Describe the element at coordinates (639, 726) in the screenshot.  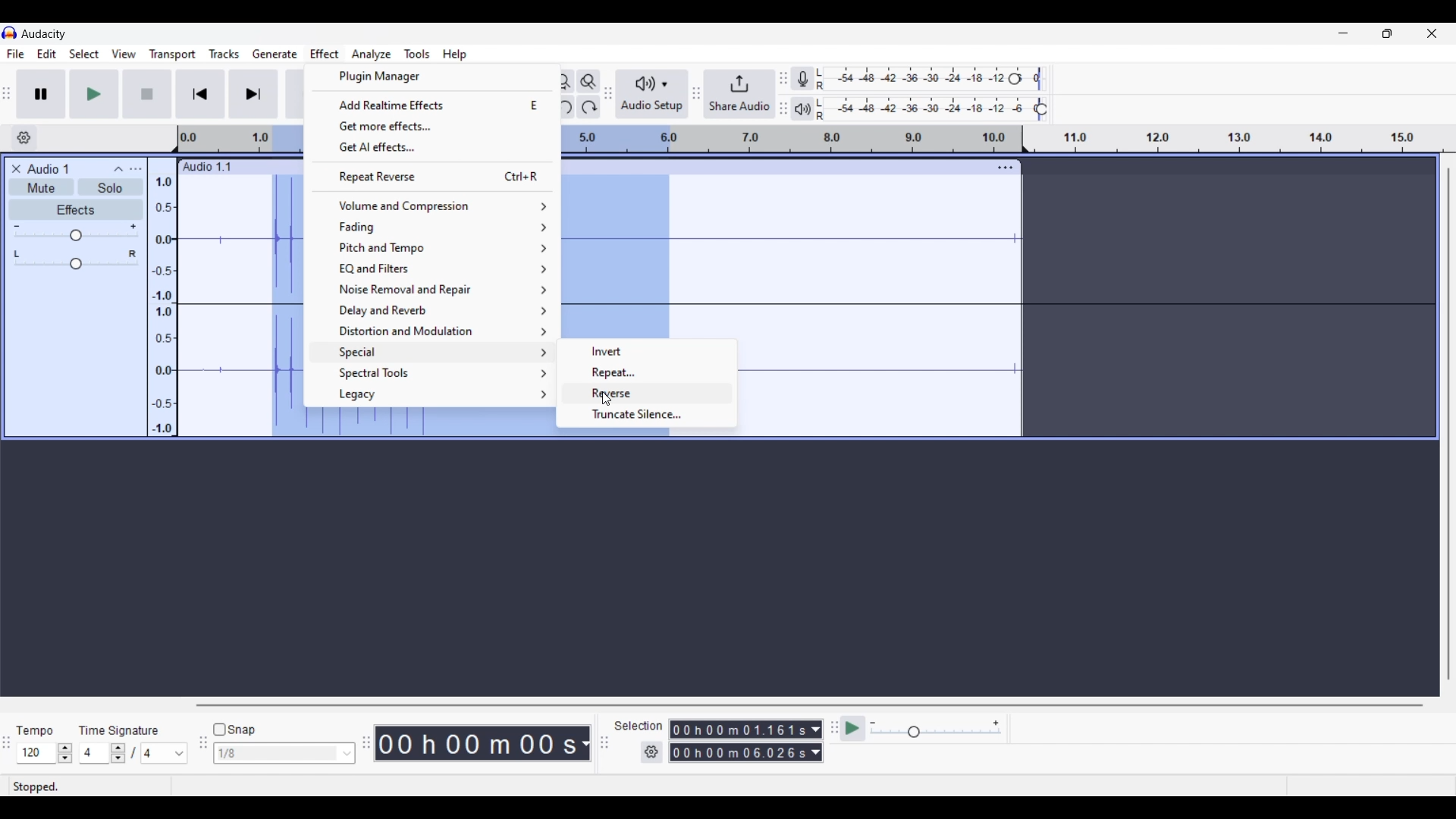
I see `Selection` at that location.